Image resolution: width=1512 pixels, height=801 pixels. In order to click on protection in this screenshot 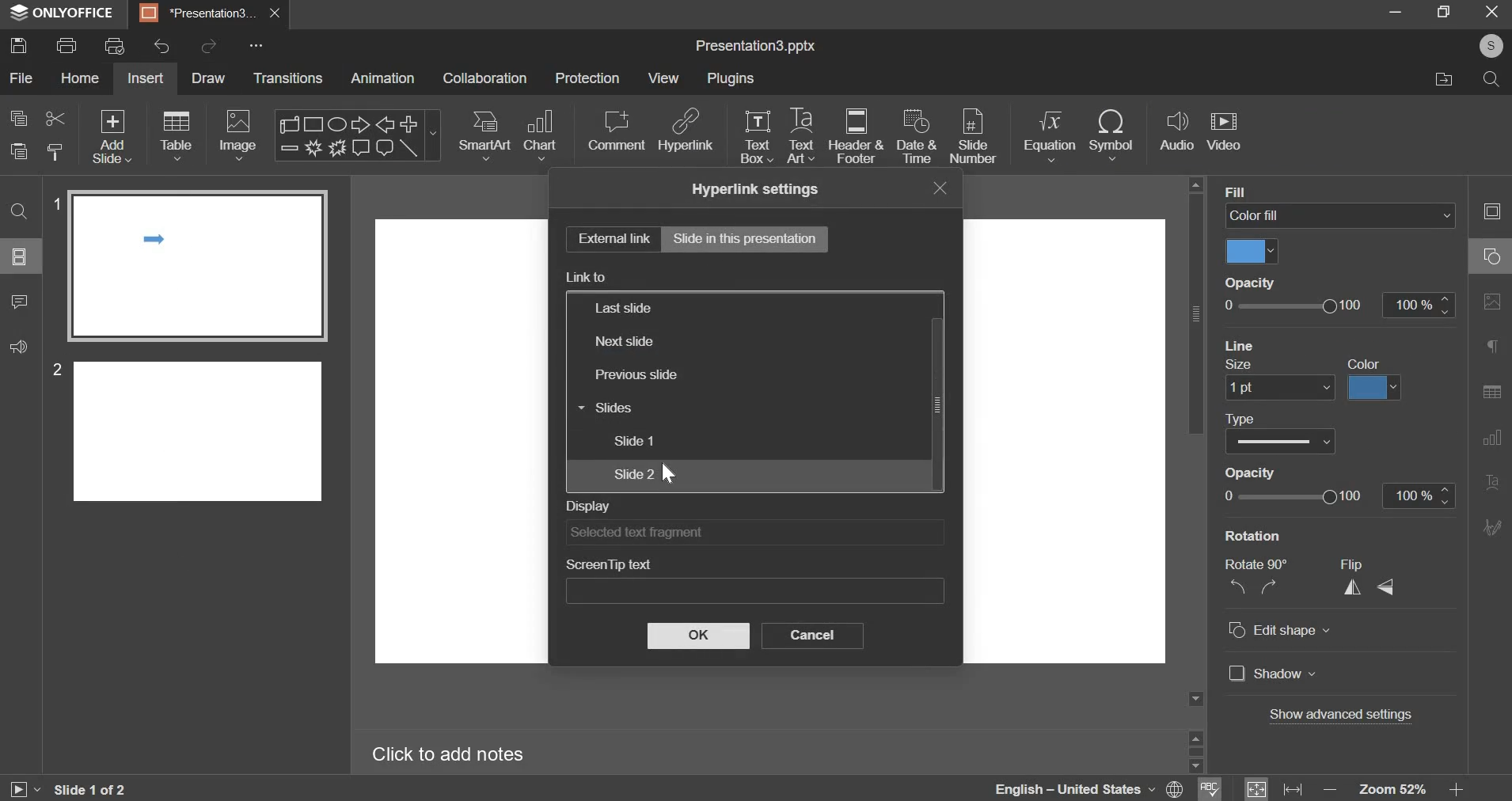, I will do `click(587, 78)`.